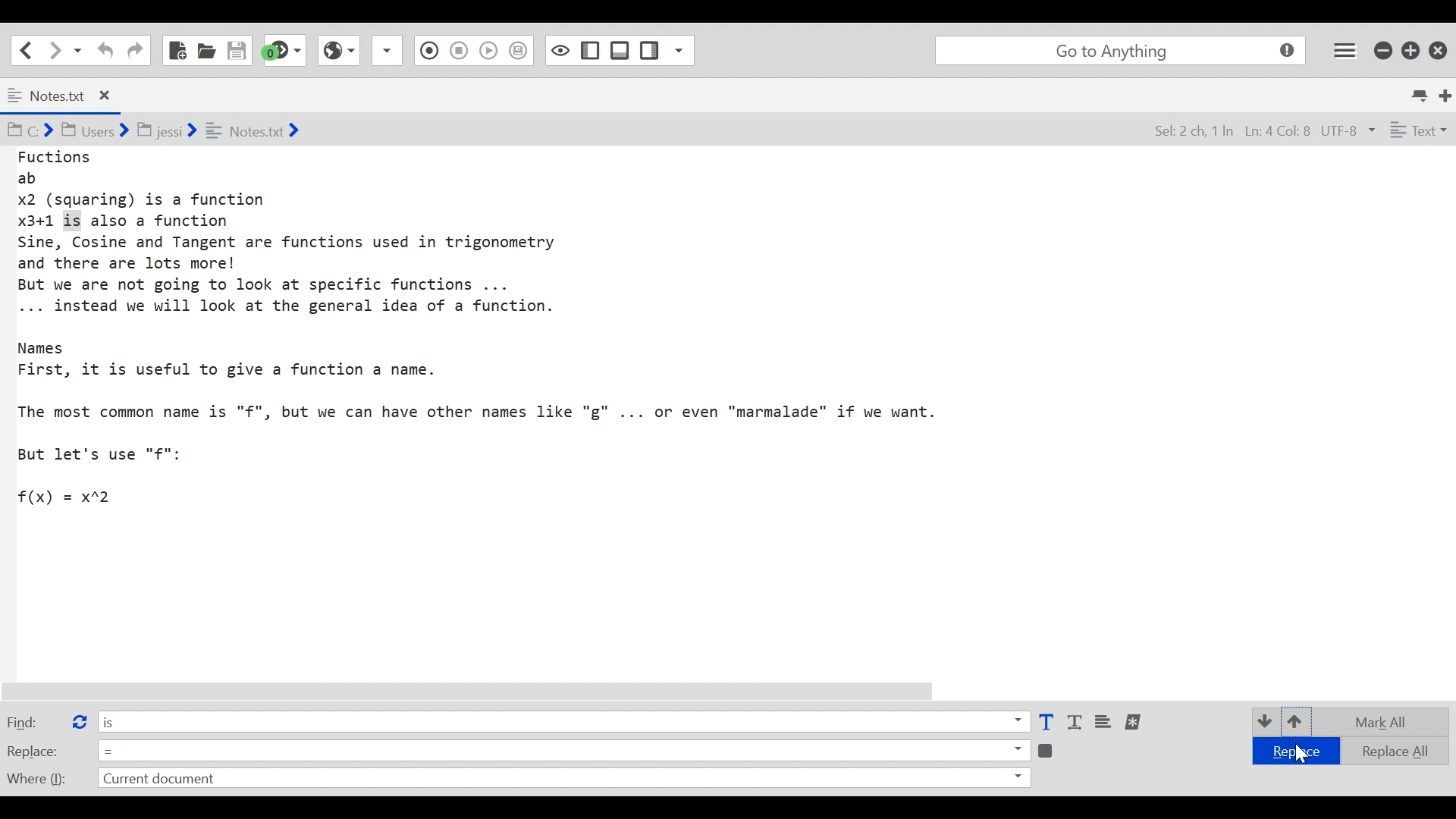 Image resolution: width=1456 pixels, height=819 pixels. I want to click on Show/Hide Right pane, so click(559, 49).